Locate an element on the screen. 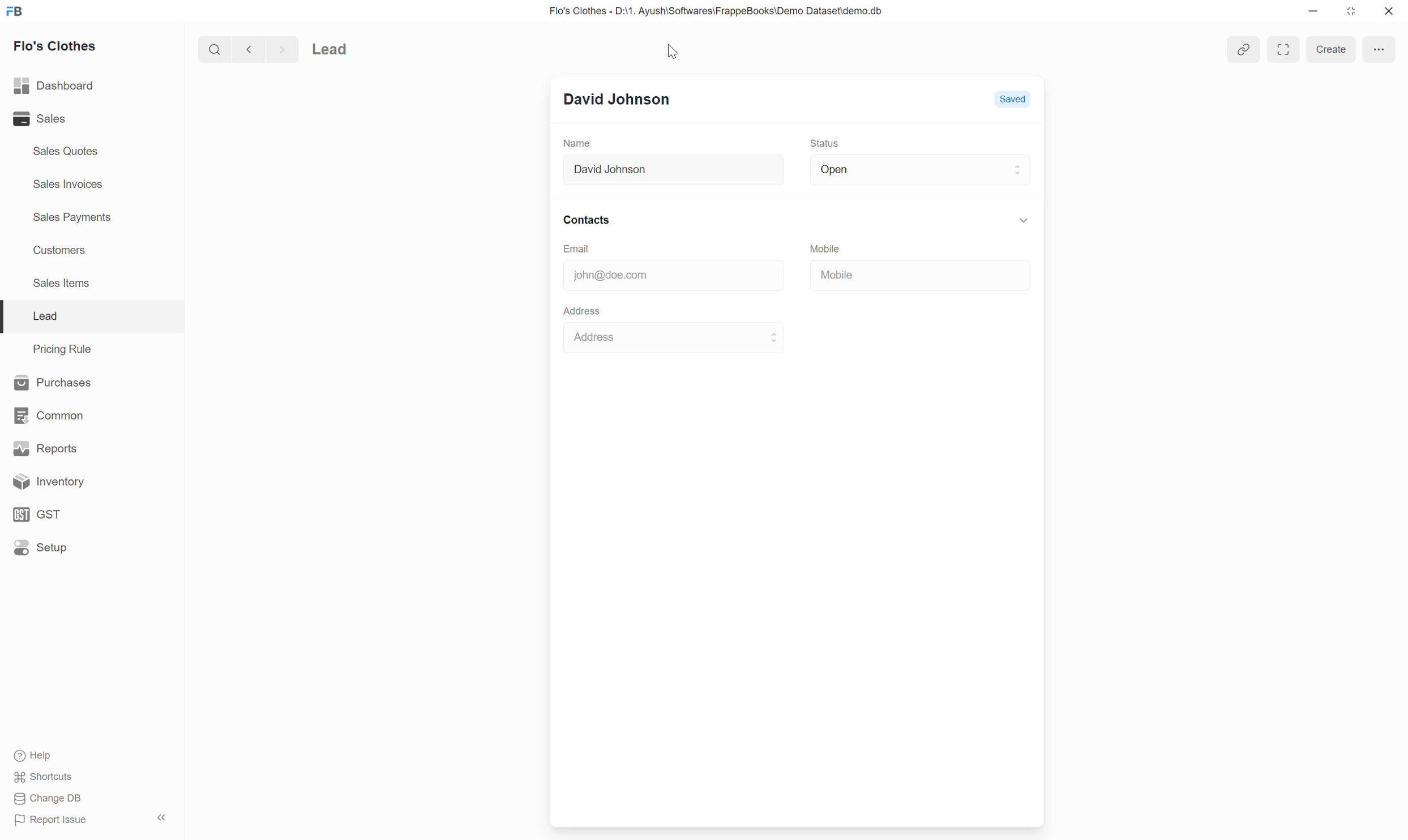 This screenshot has width=1408, height=840. Name is located at coordinates (577, 144).